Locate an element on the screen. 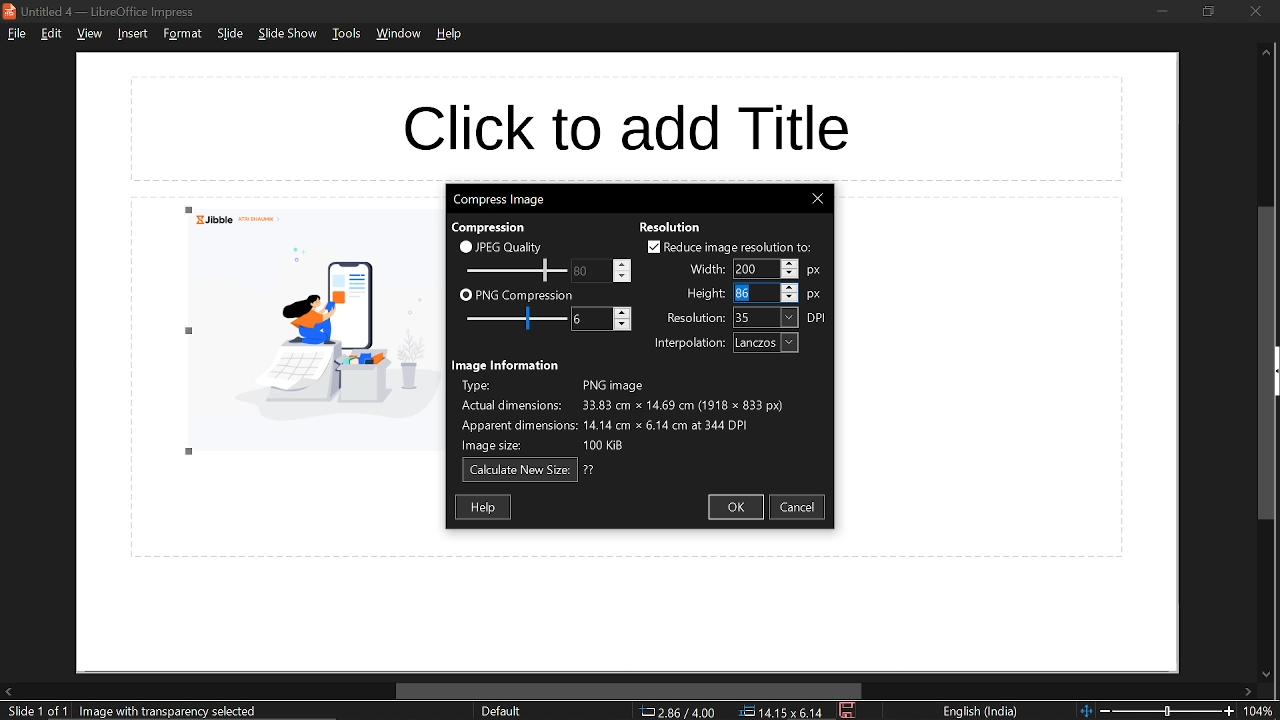 Image resolution: width=1280 pixels, height=720 pixels. edit is located at coordinates (53, 33).